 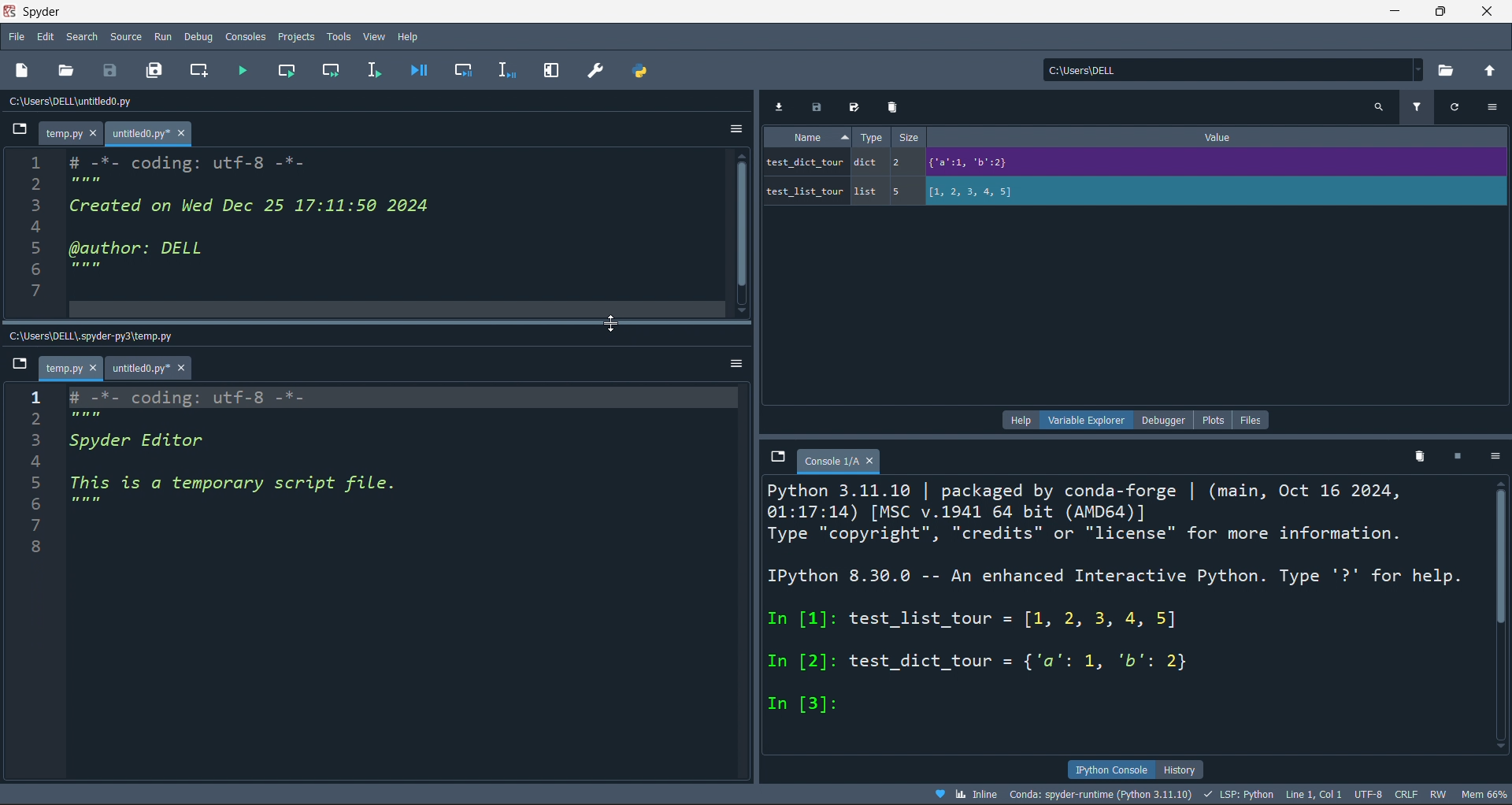 I want to click on browse tabs, so click(x=19, y=131).